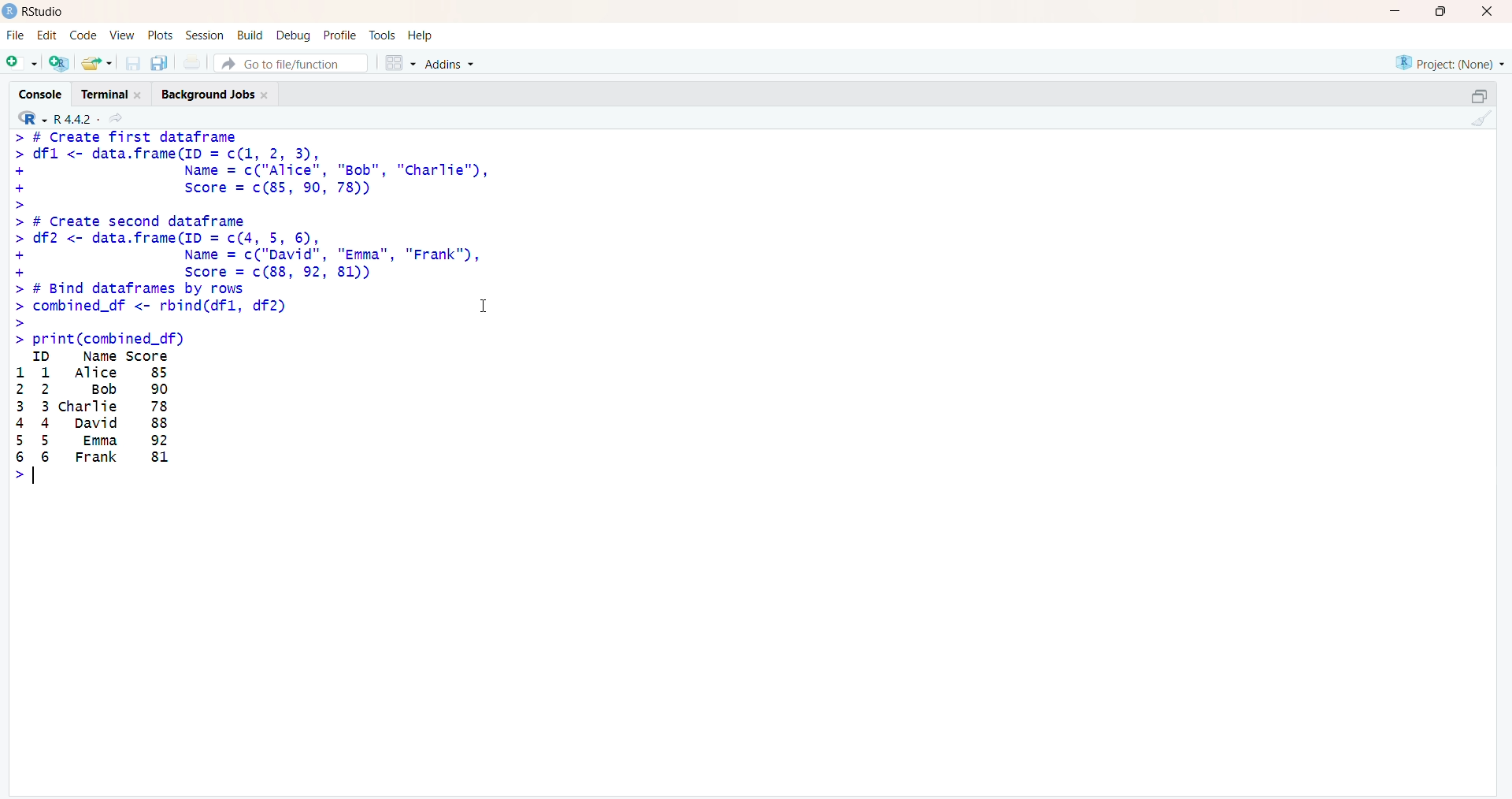 The image size is (1512, 799). Describe the element at coordinates (421, 35) in the screenshot. I see `Help` at that location.